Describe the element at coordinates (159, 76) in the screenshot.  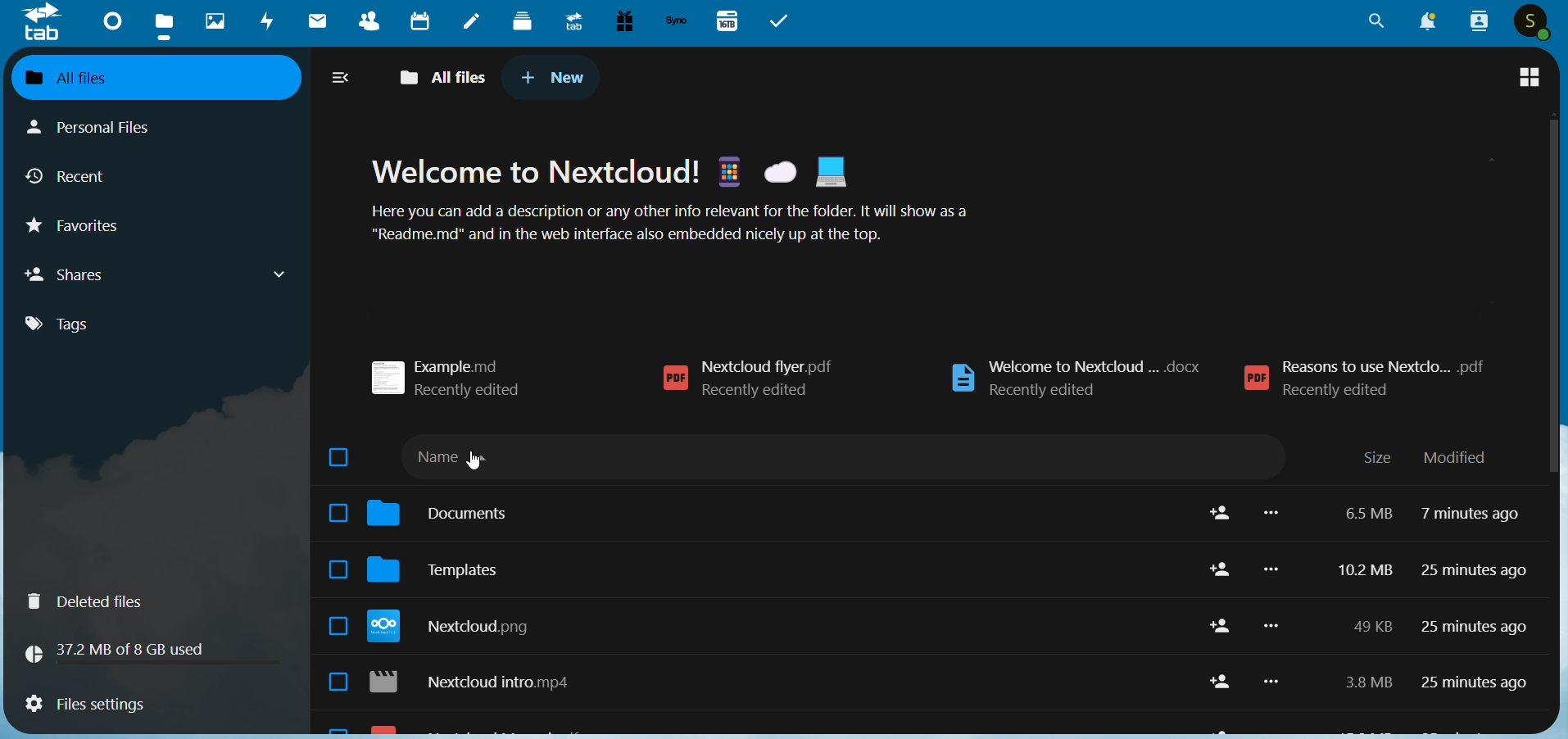
I see `All Files` at that location.